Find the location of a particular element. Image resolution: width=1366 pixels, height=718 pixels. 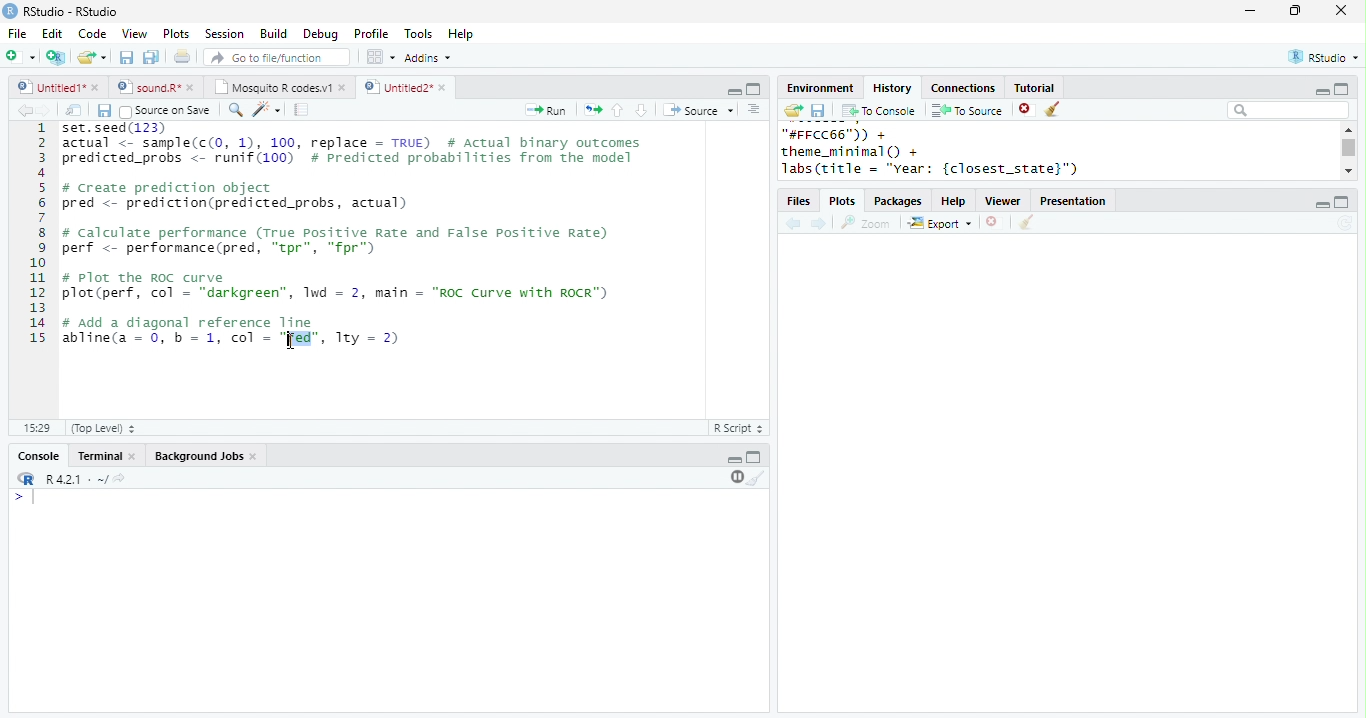

close is located at coordinates (134, 457).